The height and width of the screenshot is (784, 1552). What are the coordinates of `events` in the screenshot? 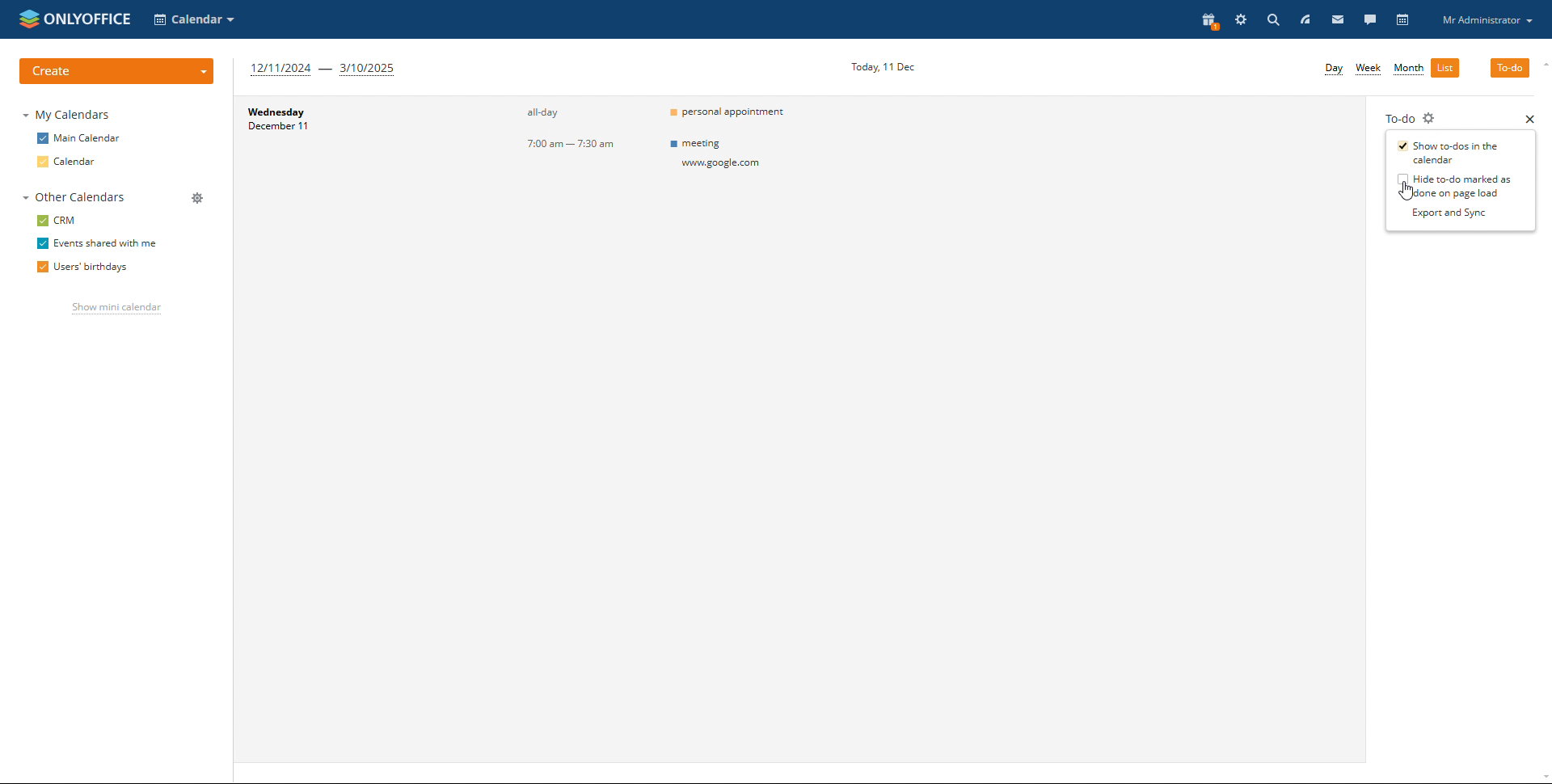 It's located at (740, 114).